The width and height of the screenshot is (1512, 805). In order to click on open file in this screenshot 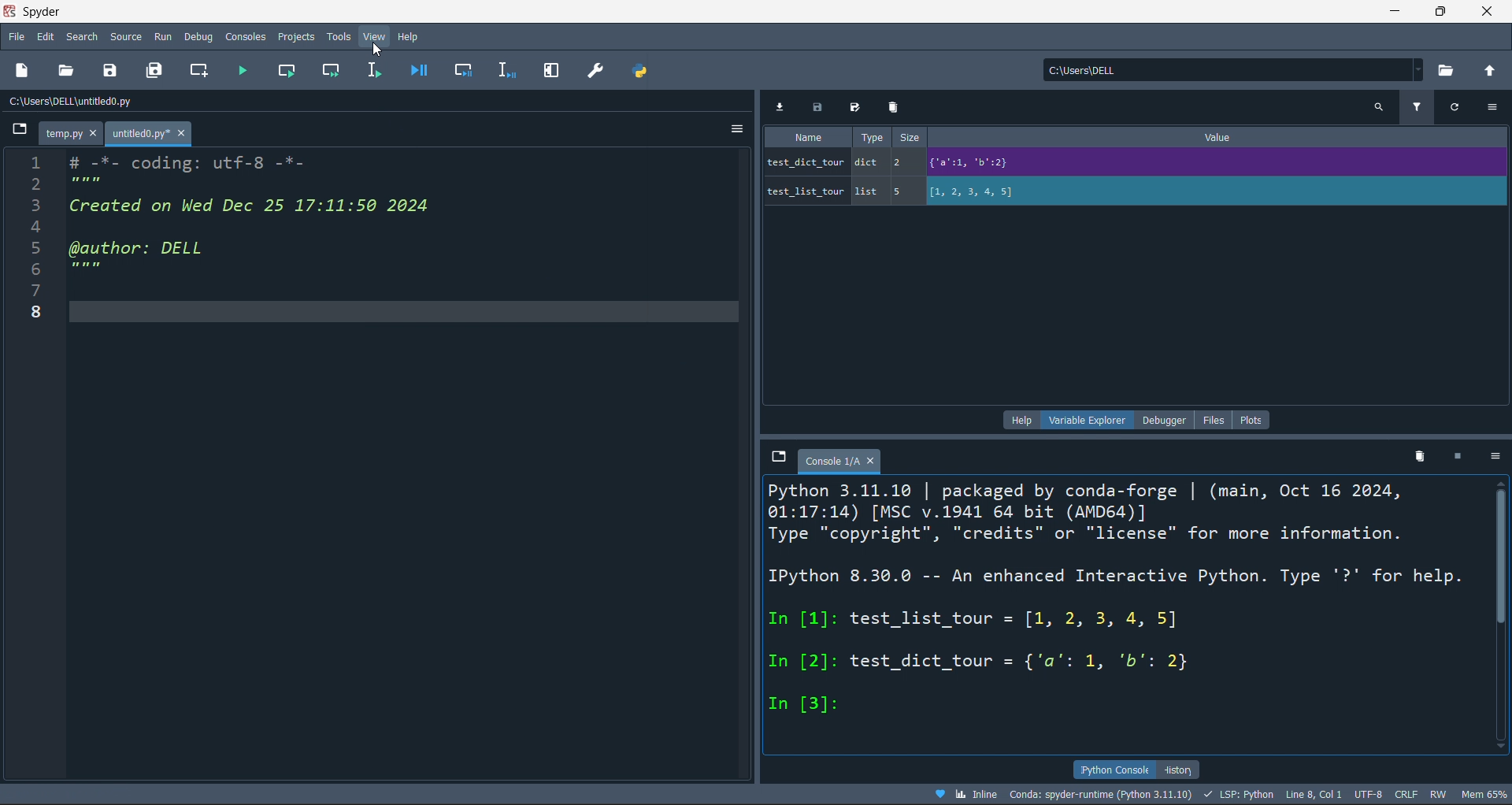, I will do `click(66, 70)`.